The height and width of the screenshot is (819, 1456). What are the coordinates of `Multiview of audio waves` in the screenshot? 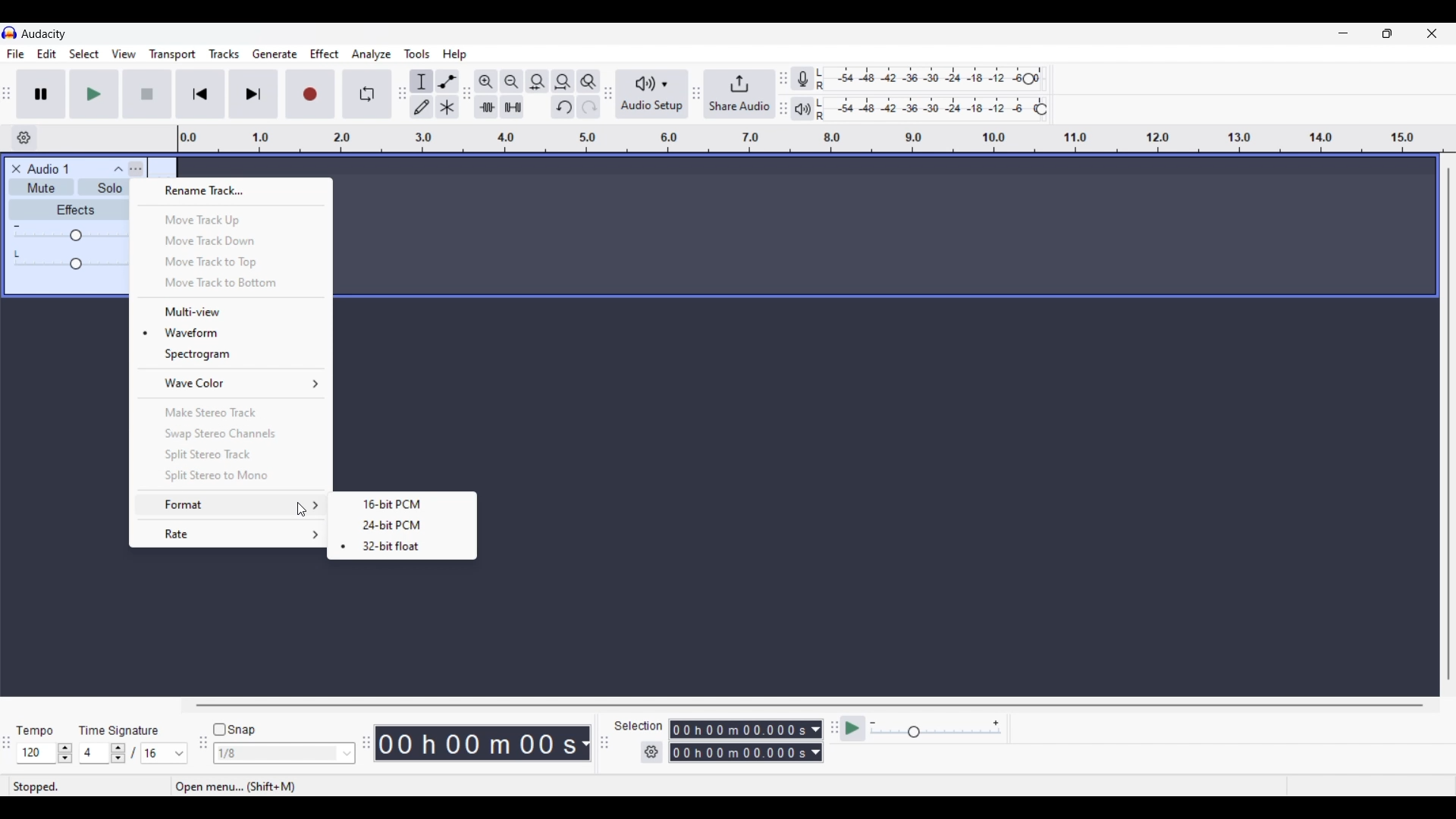 It's located at (232, 312).